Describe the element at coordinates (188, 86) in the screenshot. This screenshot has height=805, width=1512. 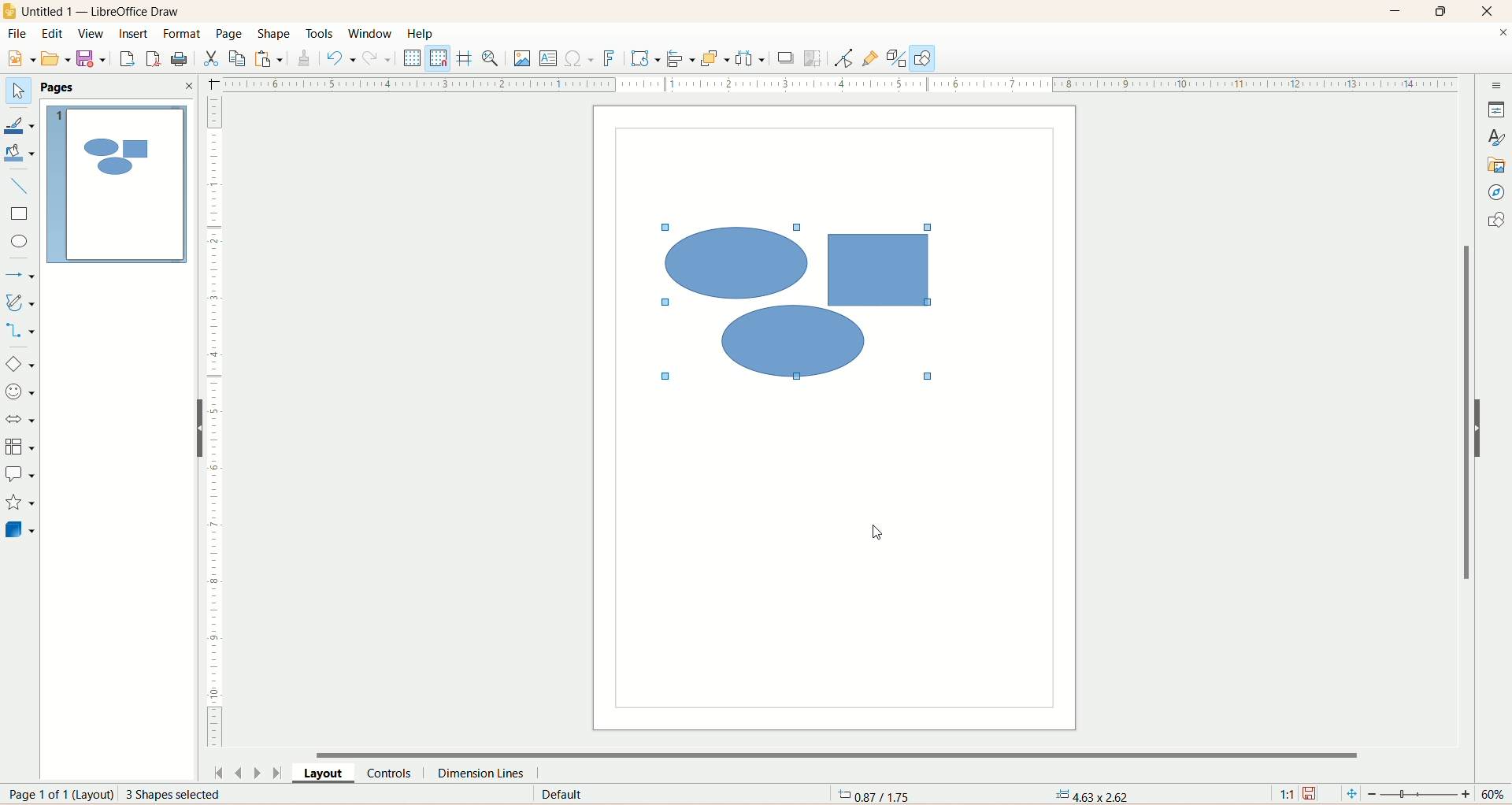
I see `close` at that location.